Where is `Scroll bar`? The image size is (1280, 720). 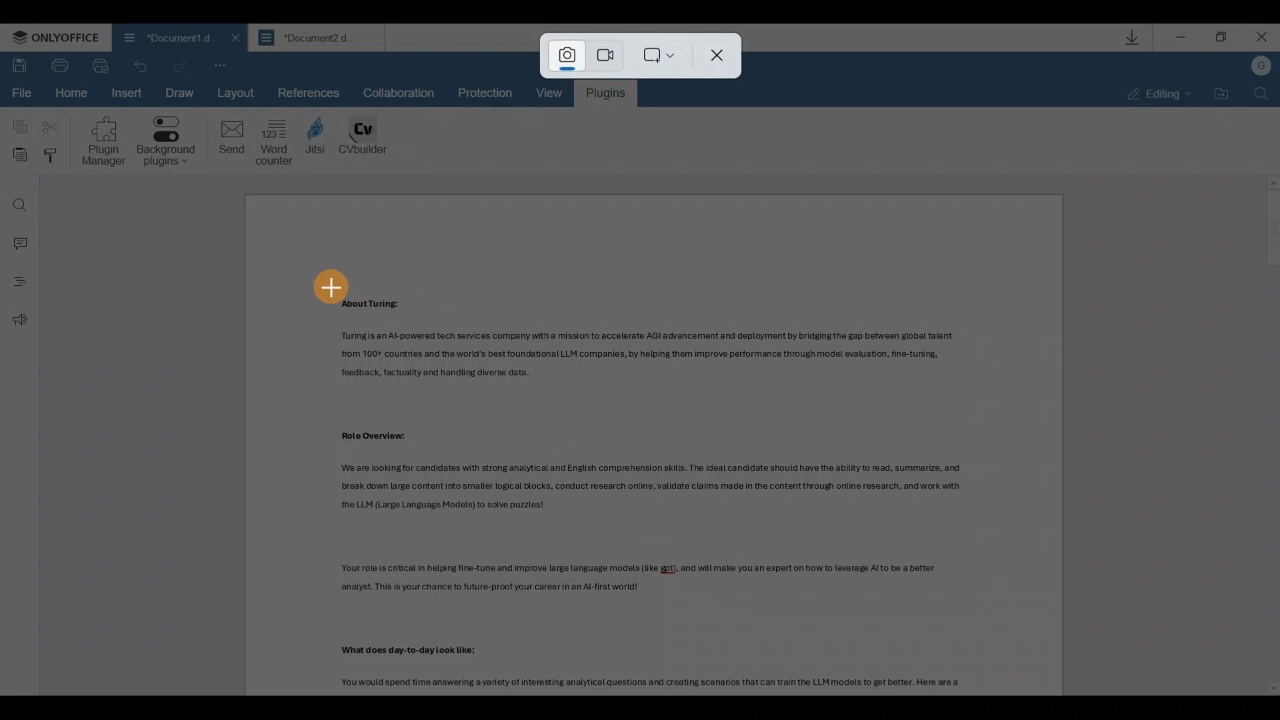
Scroll bar is located at coordinates (1264, 439).